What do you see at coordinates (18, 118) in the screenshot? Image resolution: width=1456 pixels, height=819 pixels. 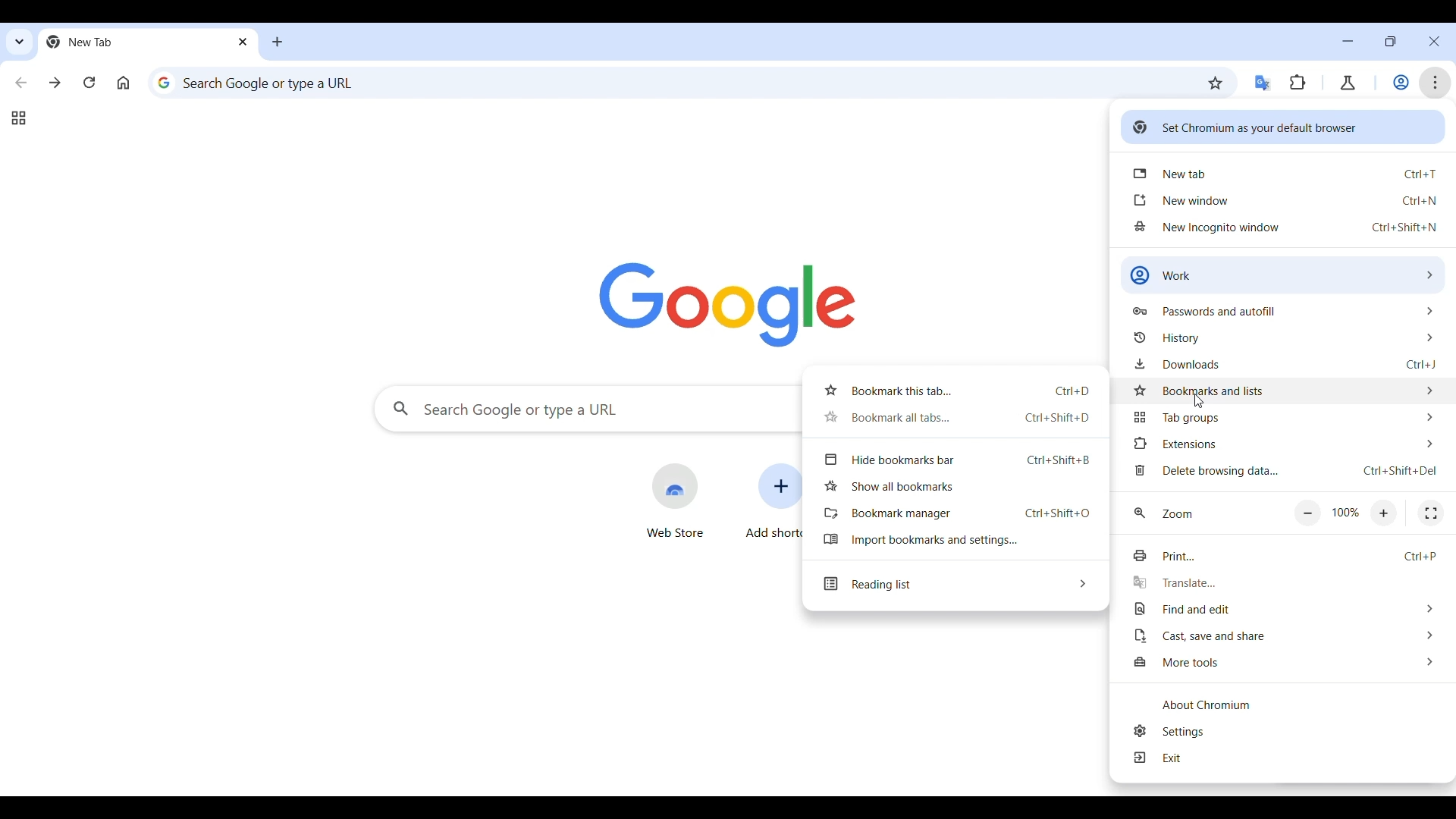 I see `Tab groups` at bounding box center [18, 118].